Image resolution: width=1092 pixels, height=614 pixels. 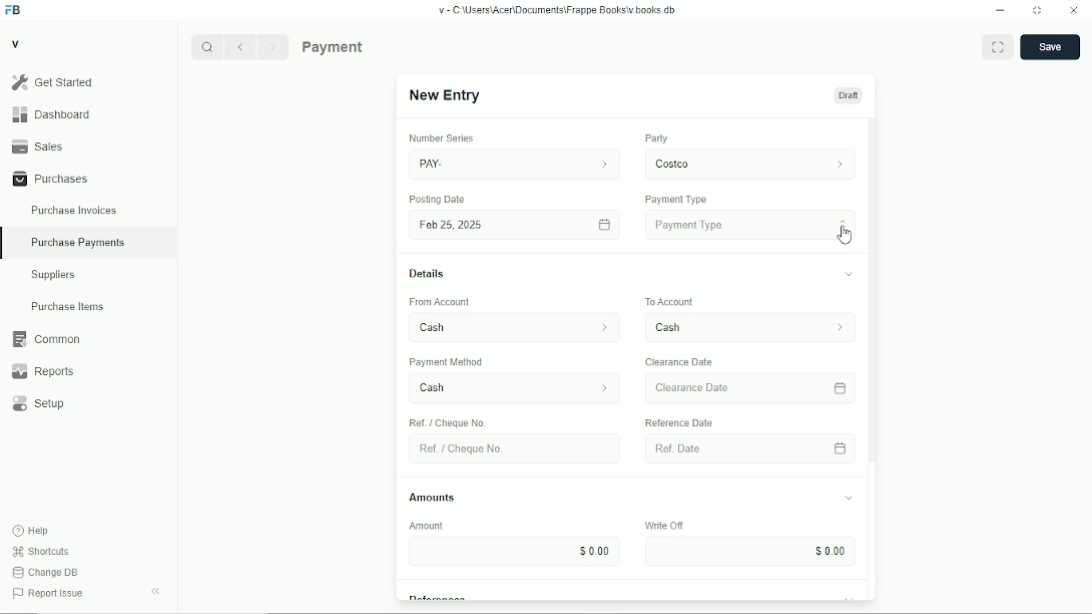 What do you see at coordinates (438, 303) in the screenshot?
I see `‘From Account` at bounding box center [438, 303].